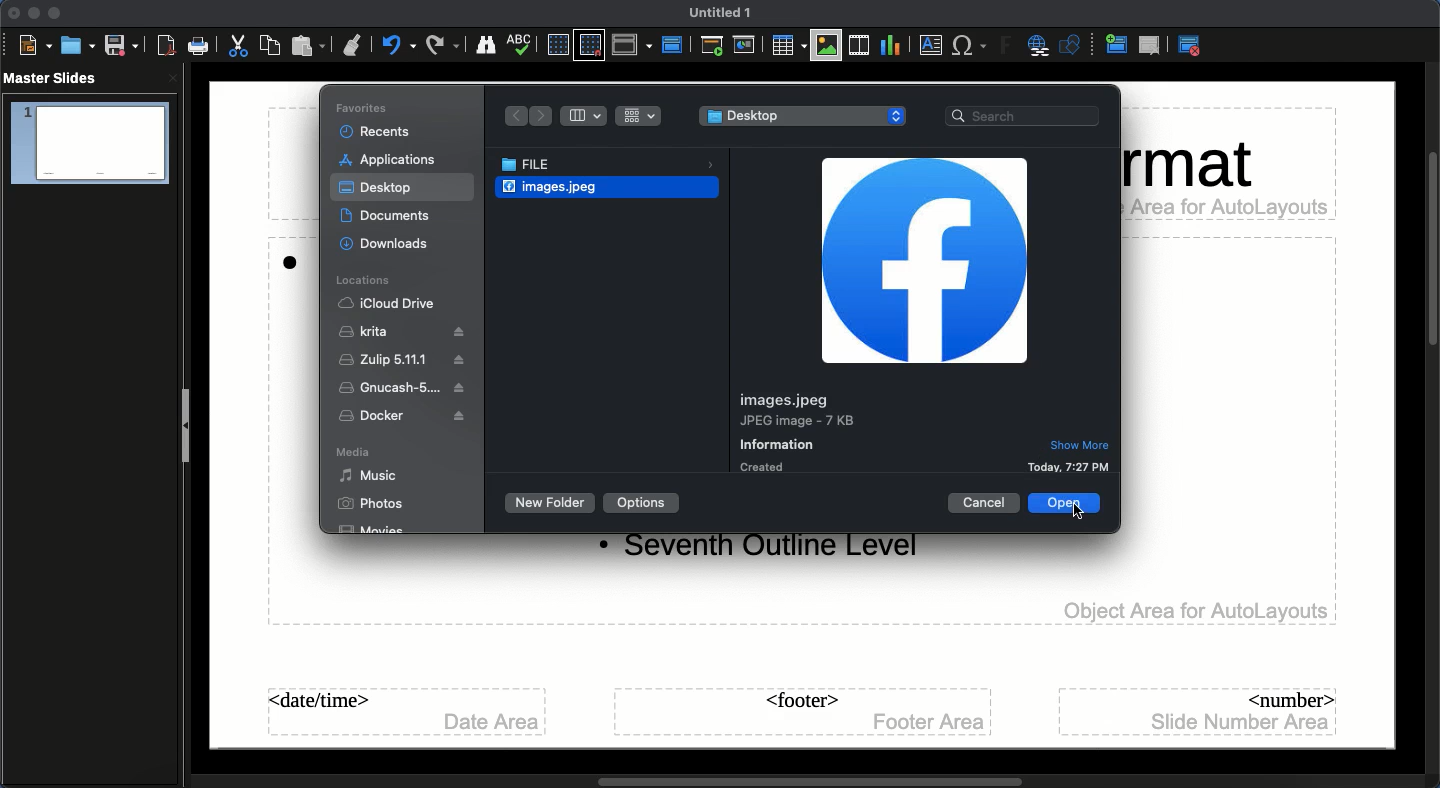  I want to click on Docker, so click(406, 416).